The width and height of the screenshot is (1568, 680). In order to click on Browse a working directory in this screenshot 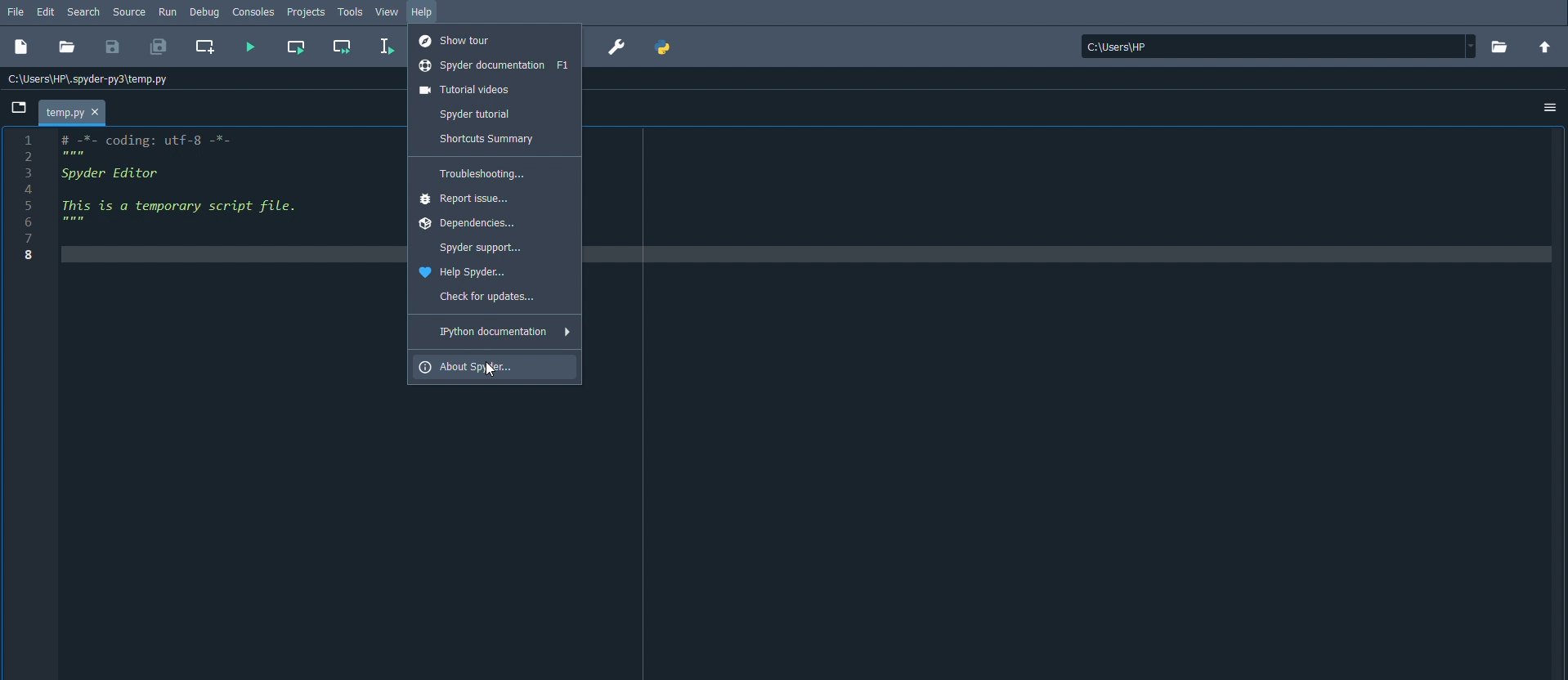, I will do `click(1500, 46)`.